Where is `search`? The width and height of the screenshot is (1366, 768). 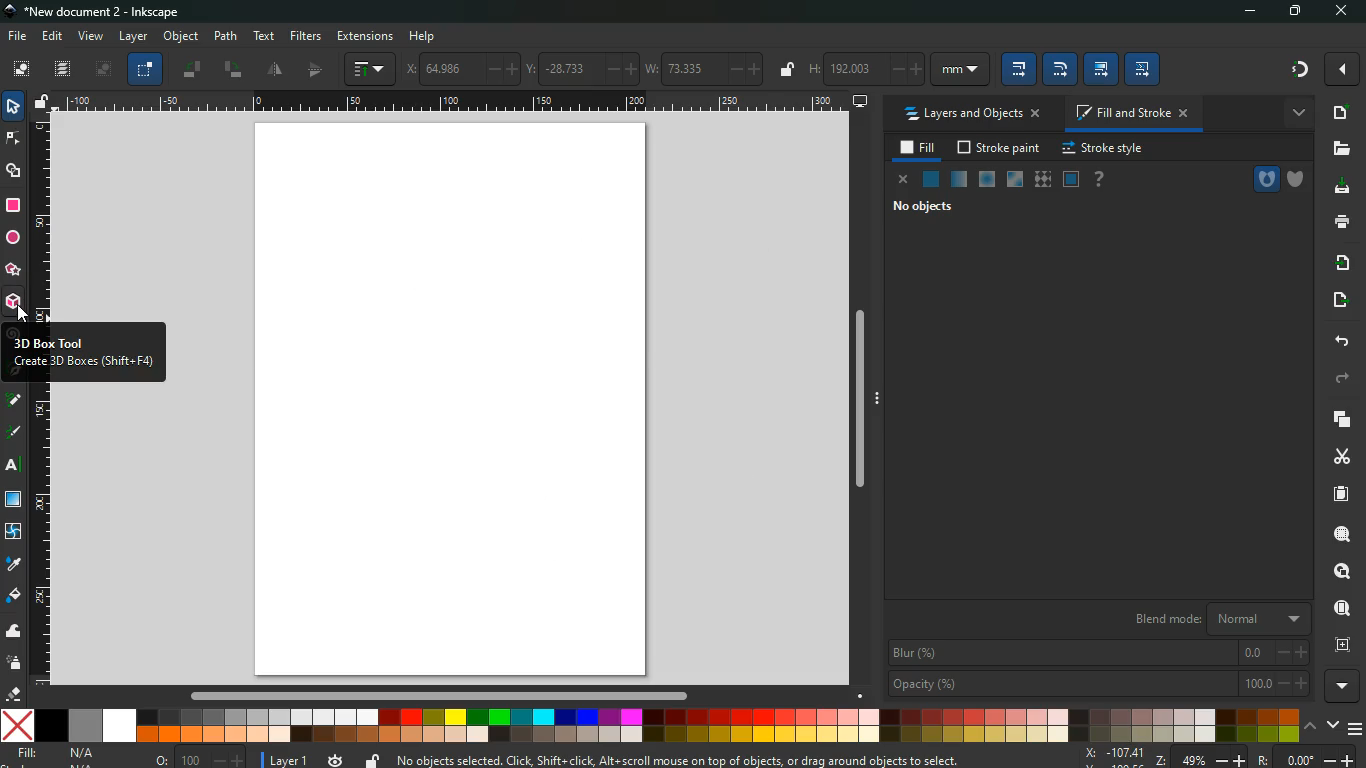
search is located at coordinates (1340, 534).